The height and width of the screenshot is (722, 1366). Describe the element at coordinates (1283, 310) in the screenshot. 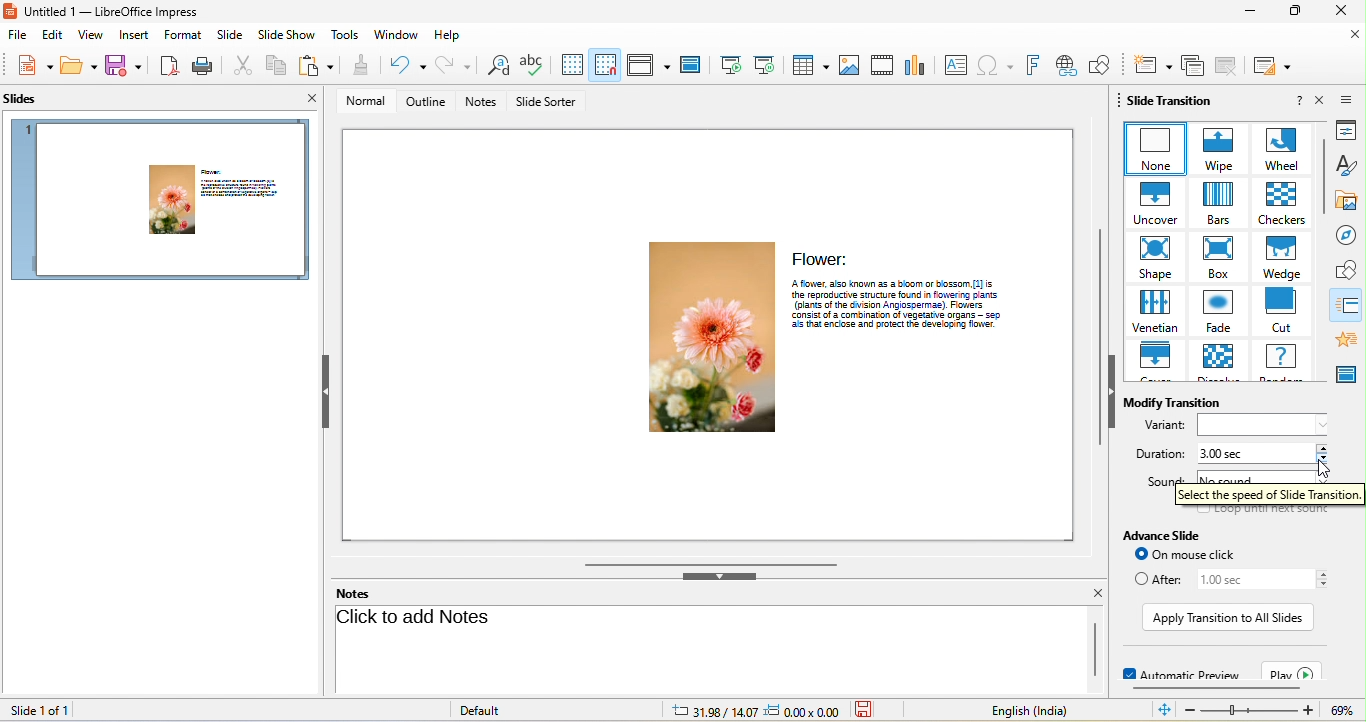

I see `cut` at that location.